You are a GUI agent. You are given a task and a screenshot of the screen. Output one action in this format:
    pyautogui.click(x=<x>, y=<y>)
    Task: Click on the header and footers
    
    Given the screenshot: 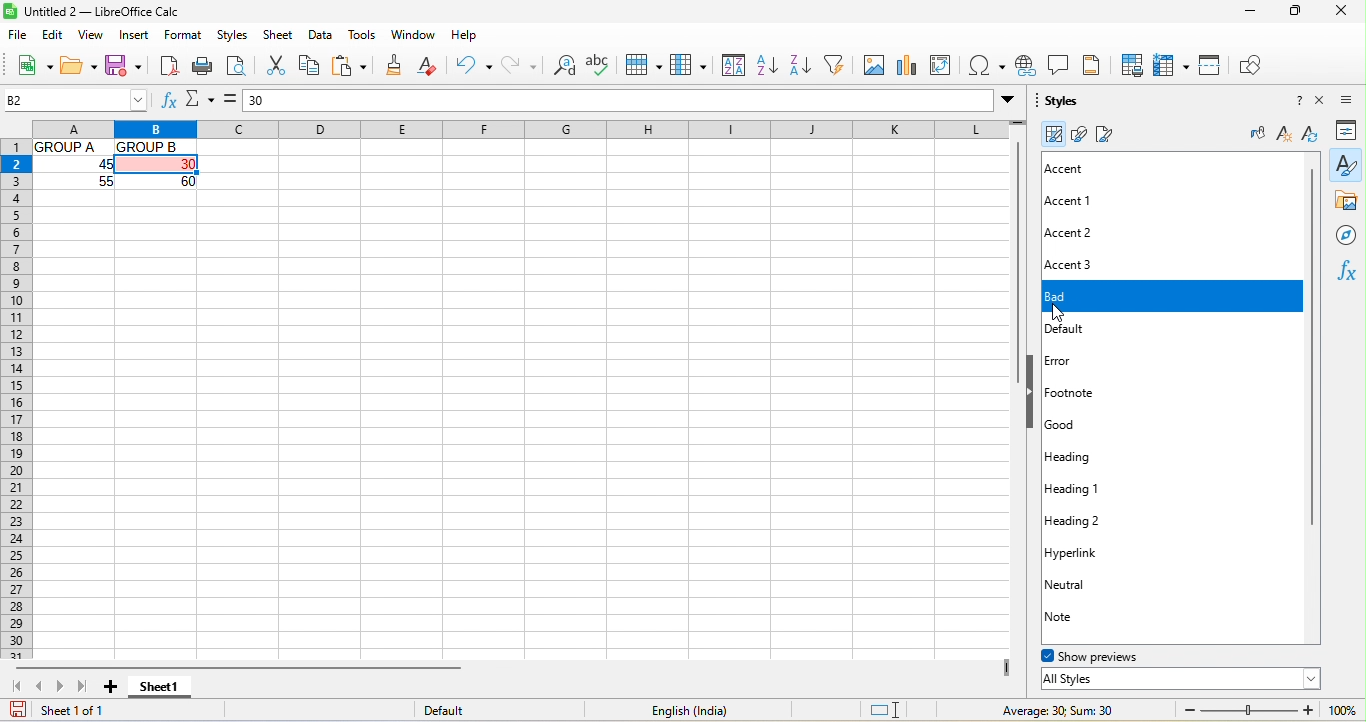 What is the action you would take?
    pyautogui.click(x=1098, y=64)
    